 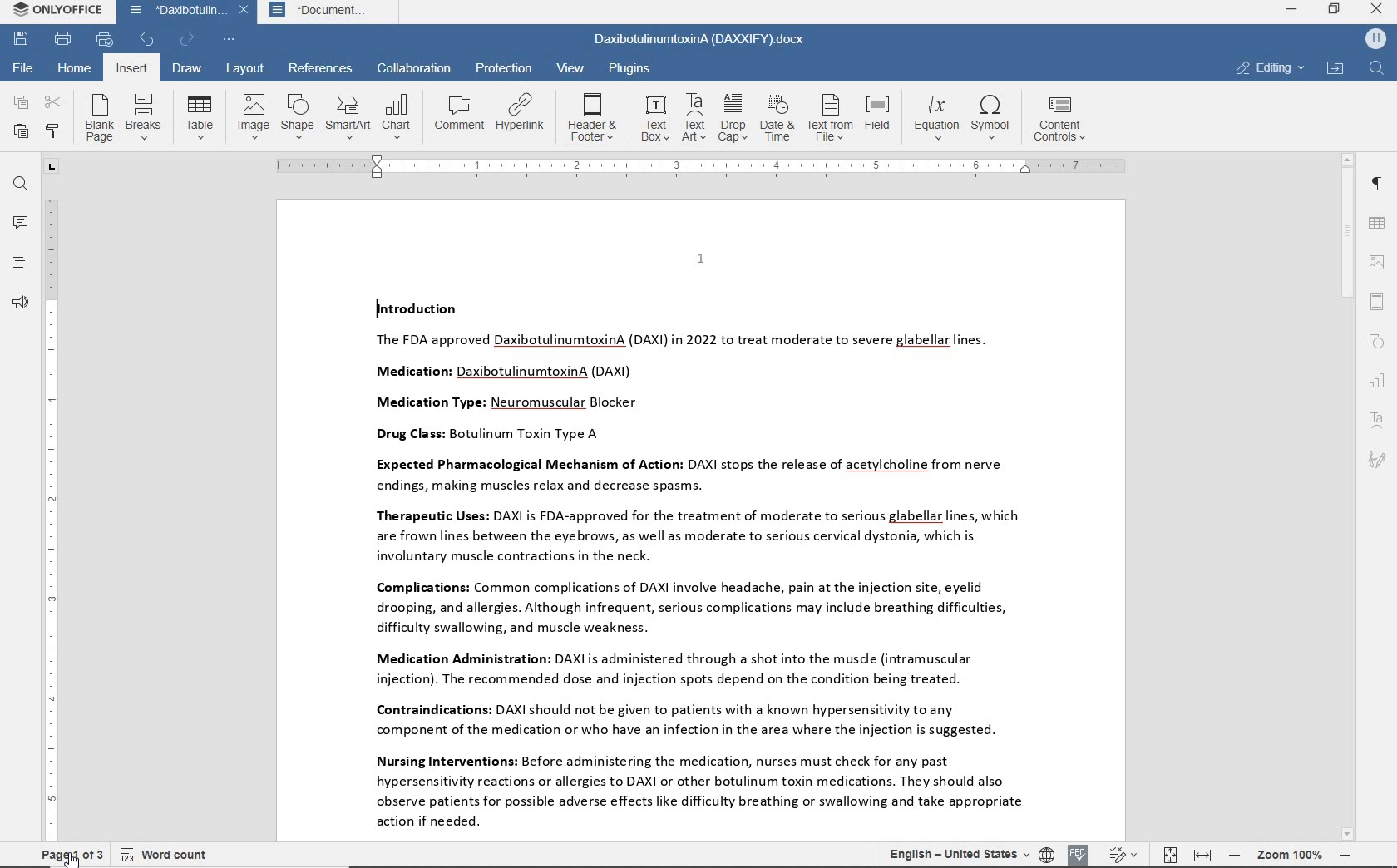 I want to click on fit to width, so click(x=1202, y=856).